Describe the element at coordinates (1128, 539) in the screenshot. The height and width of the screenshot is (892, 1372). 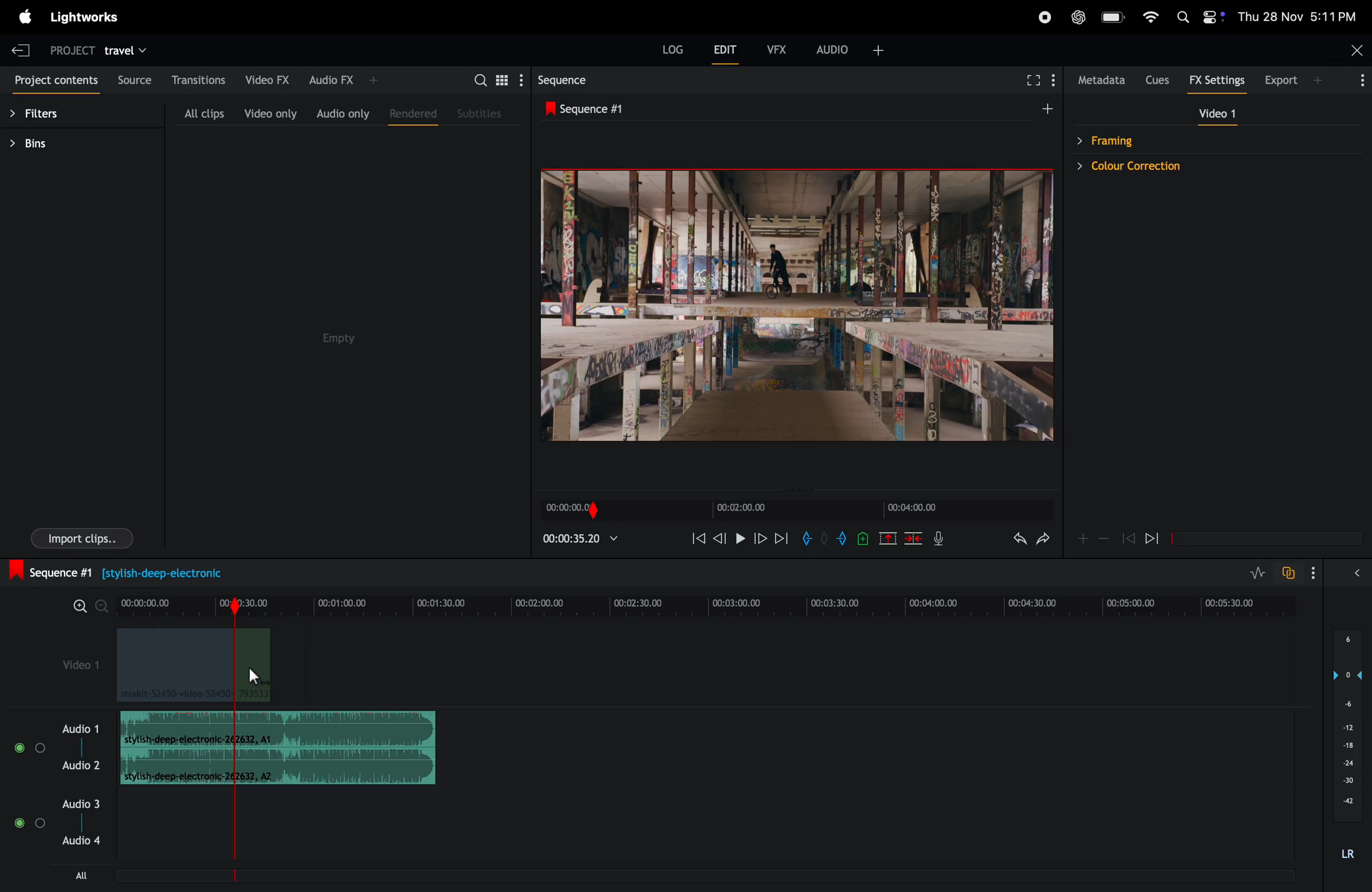
I see `rewind` at that location.